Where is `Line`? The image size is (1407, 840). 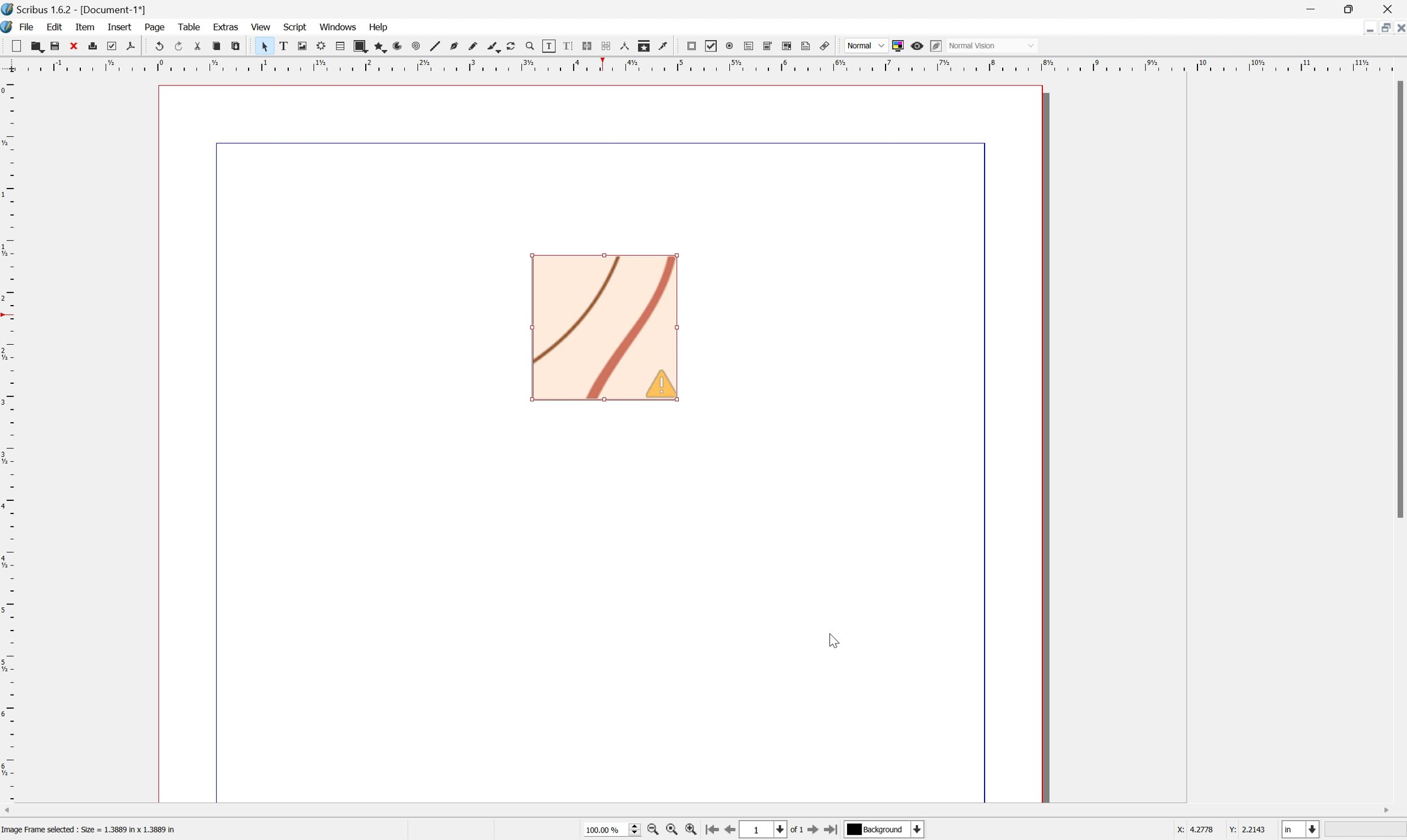
Line is located at coordinates (438, 44).